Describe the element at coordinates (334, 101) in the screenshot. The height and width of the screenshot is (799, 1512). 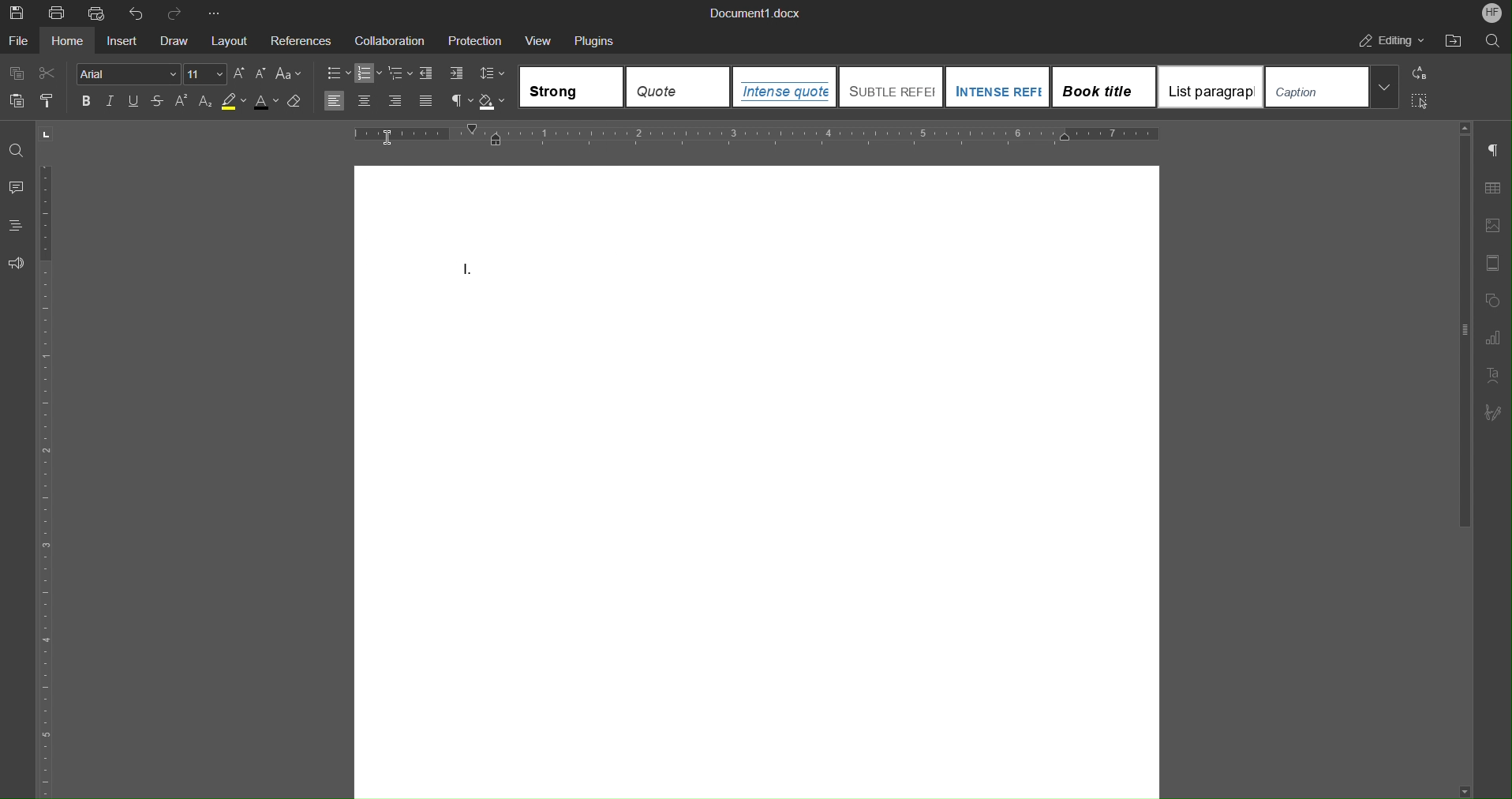
I see `Left Align` at that location.